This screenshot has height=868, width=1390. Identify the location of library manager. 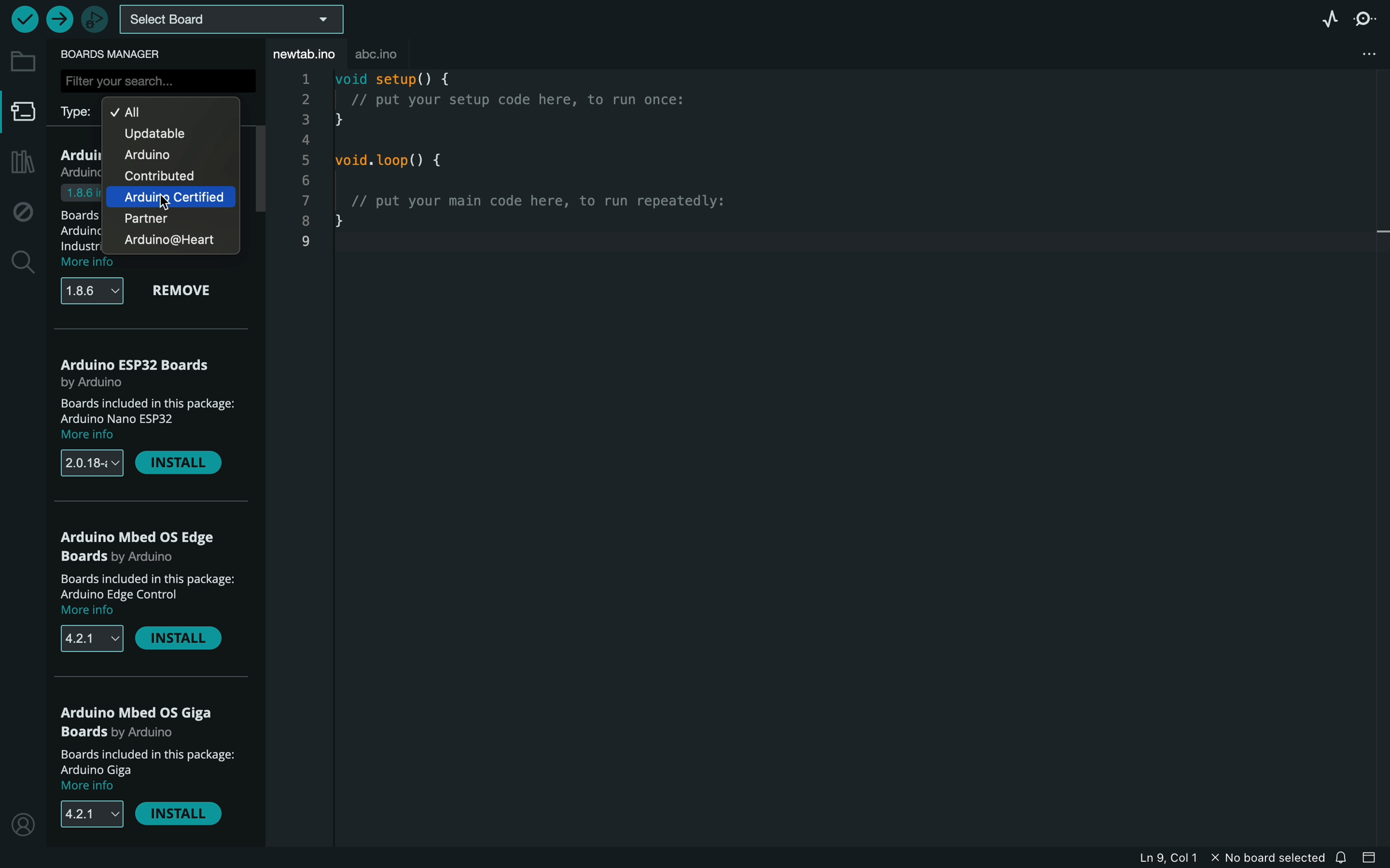
(21, 164).